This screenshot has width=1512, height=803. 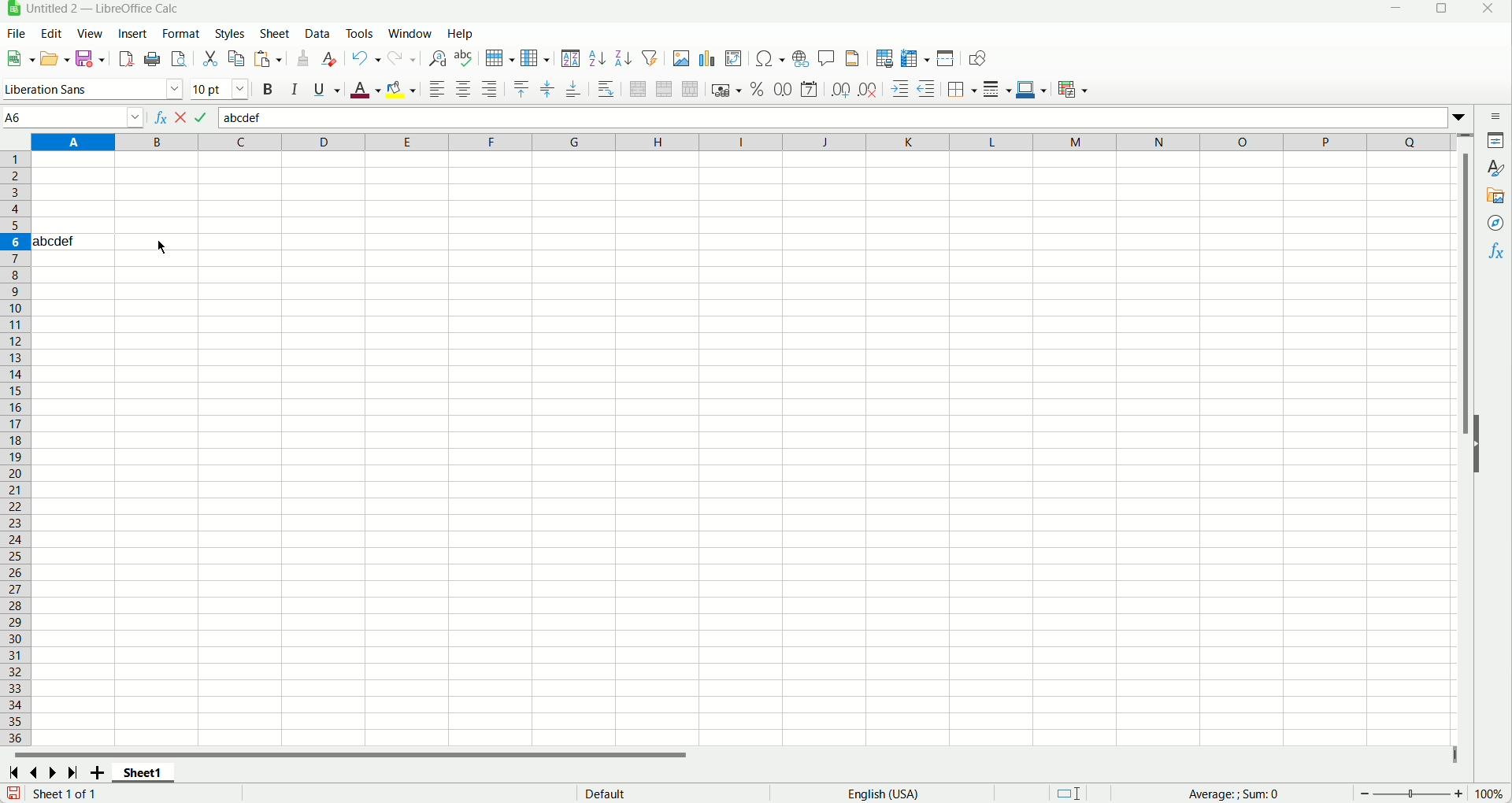 What do you see at coordinates (625, 57) in the screenshot?
I see `sort descending` at bounding box center [625, 57].